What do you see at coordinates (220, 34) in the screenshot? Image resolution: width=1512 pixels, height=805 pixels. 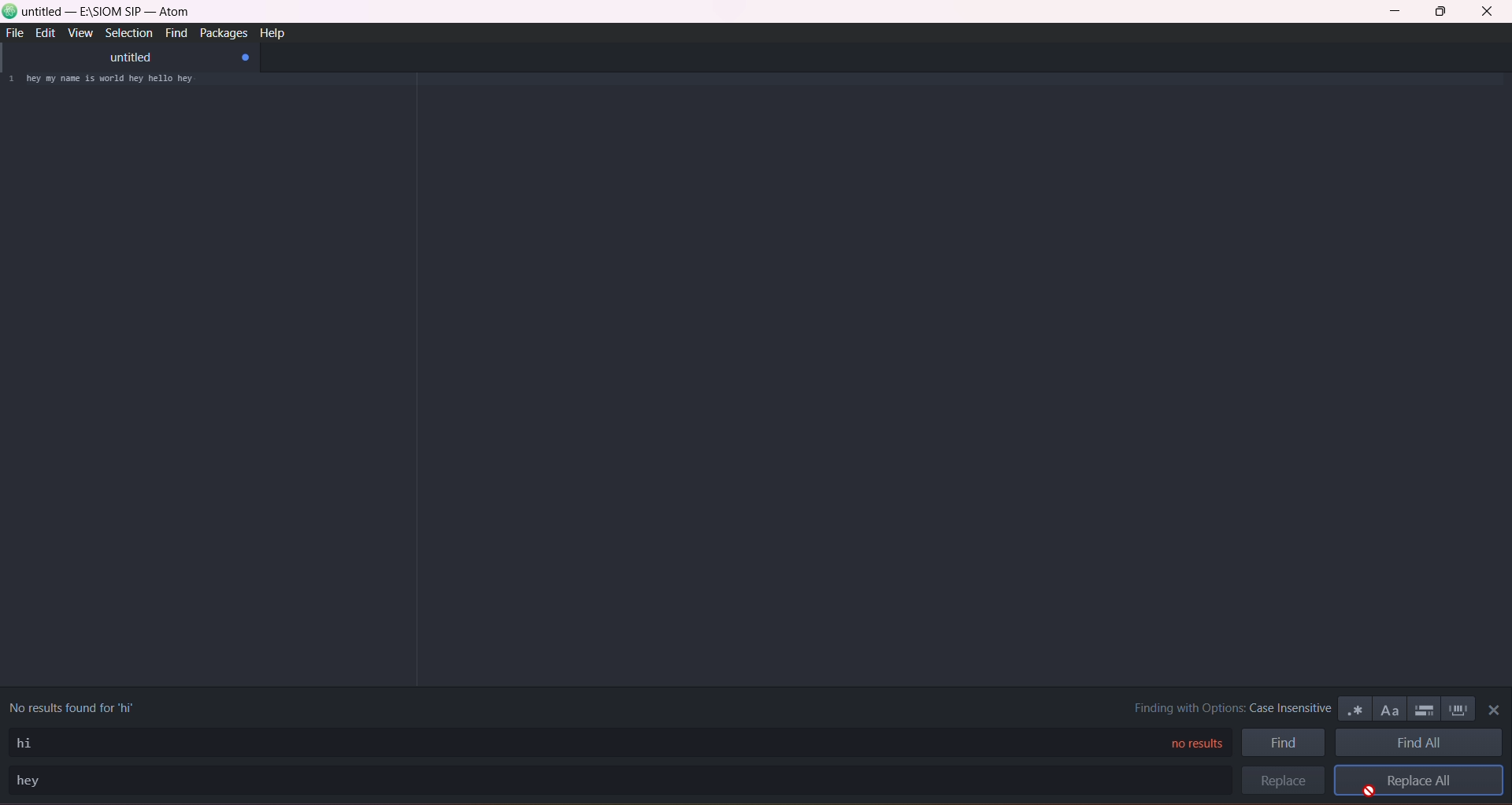 I see `packages` at bounding box center [220, 34].